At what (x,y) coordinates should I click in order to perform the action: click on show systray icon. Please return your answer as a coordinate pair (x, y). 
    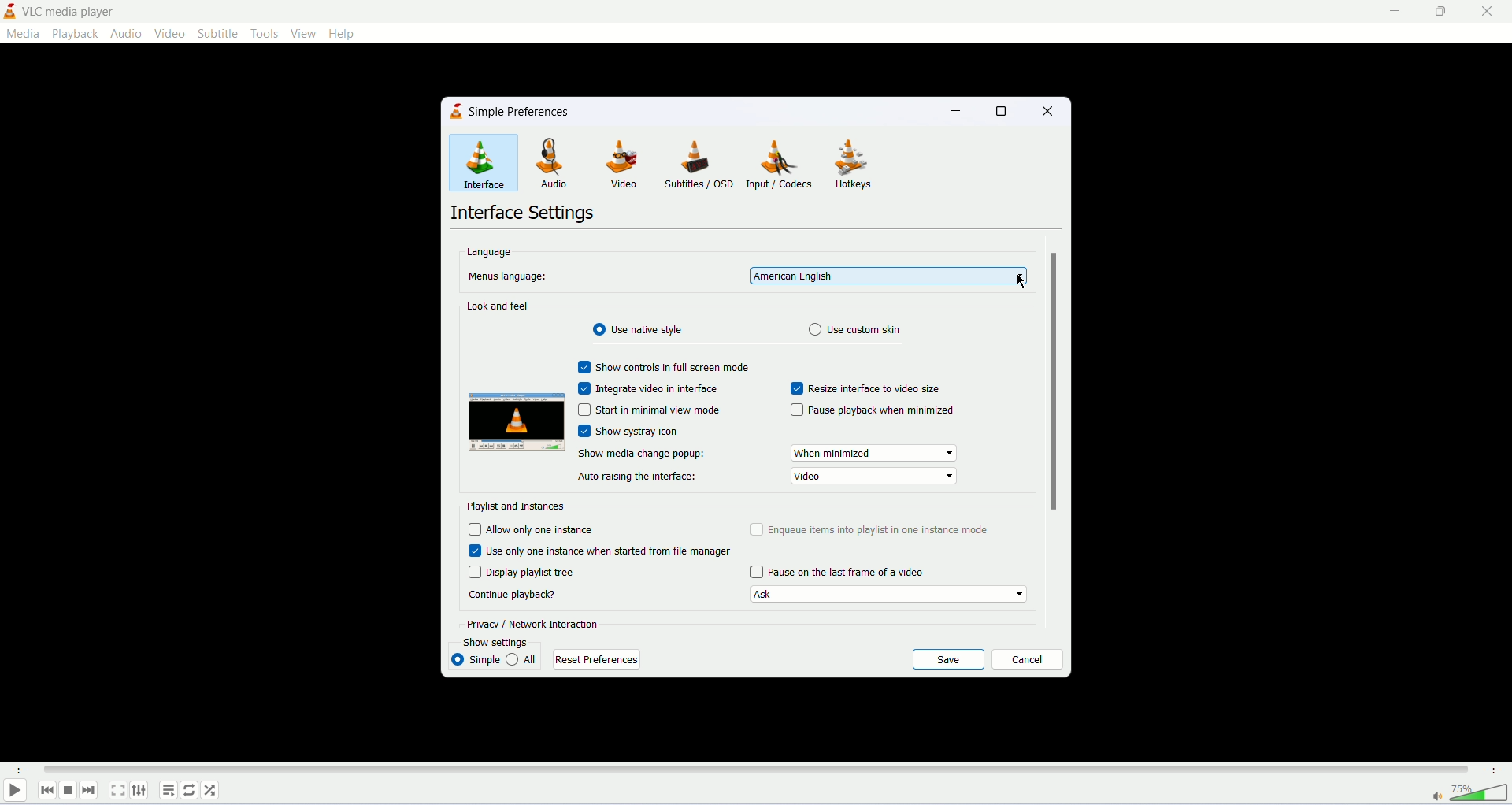
    Looking at the image, I should click on (635, 431).